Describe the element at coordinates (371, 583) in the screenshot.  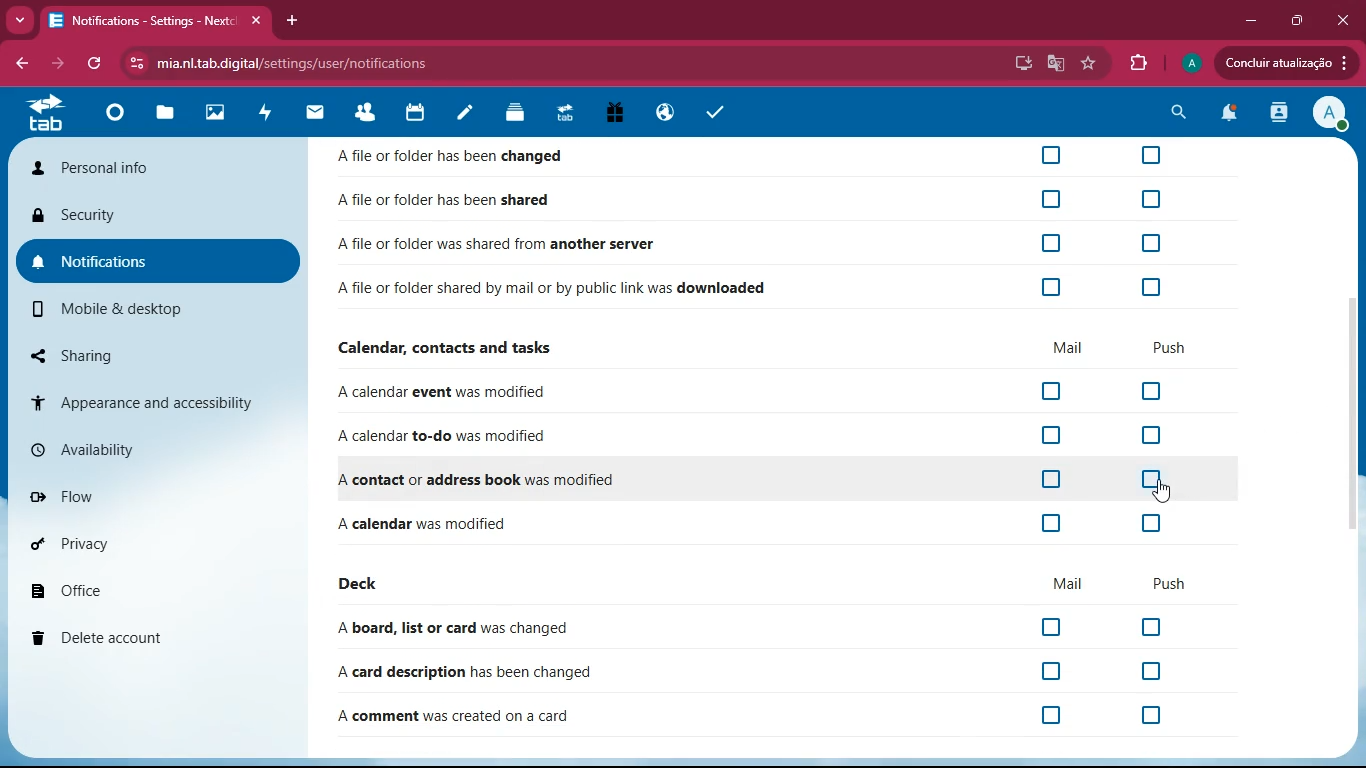
I see `deck` at that location.